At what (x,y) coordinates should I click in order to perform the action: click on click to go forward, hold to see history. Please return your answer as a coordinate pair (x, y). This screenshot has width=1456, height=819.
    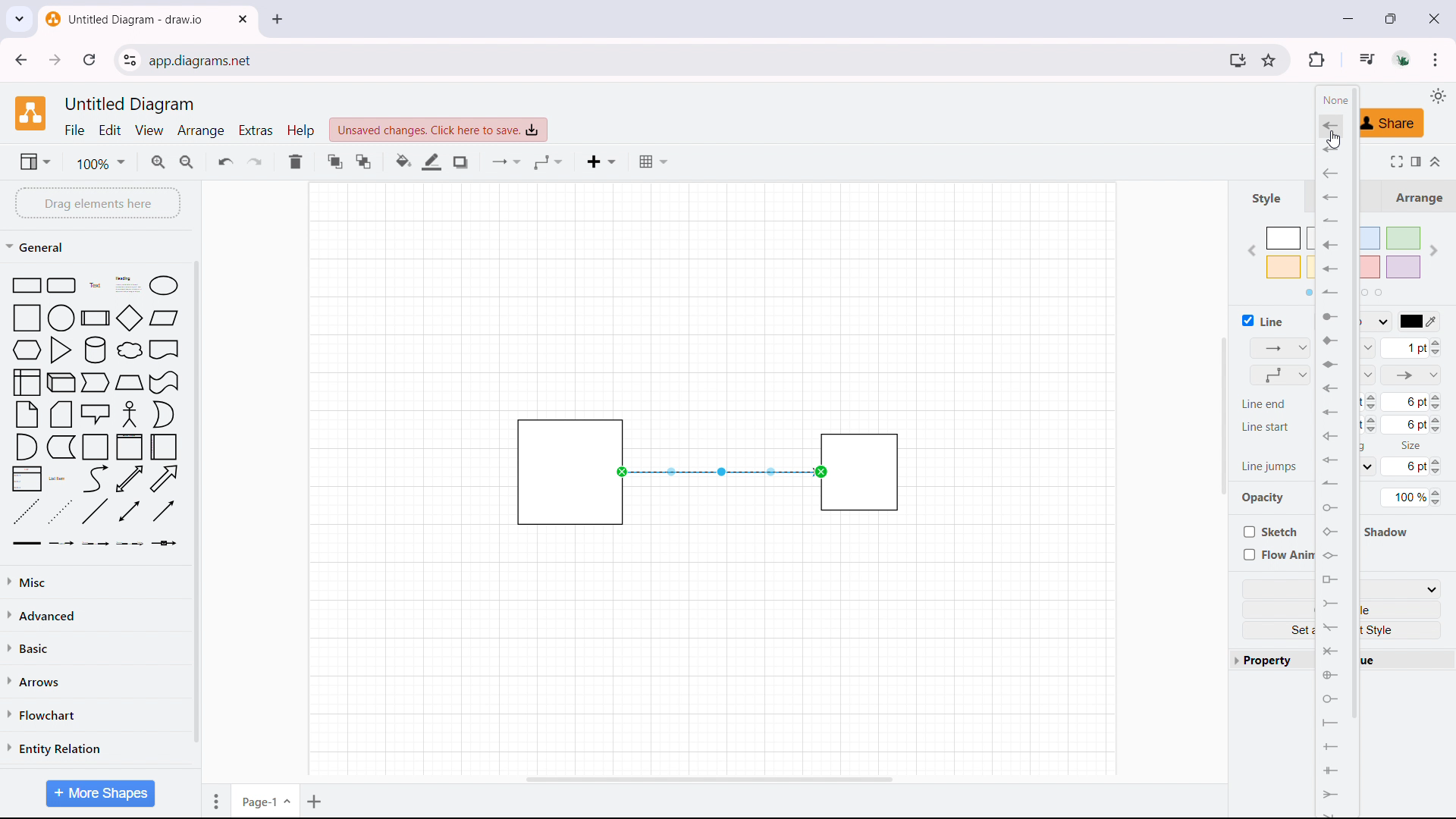
    Looking at the image, I should click on (55, 60).